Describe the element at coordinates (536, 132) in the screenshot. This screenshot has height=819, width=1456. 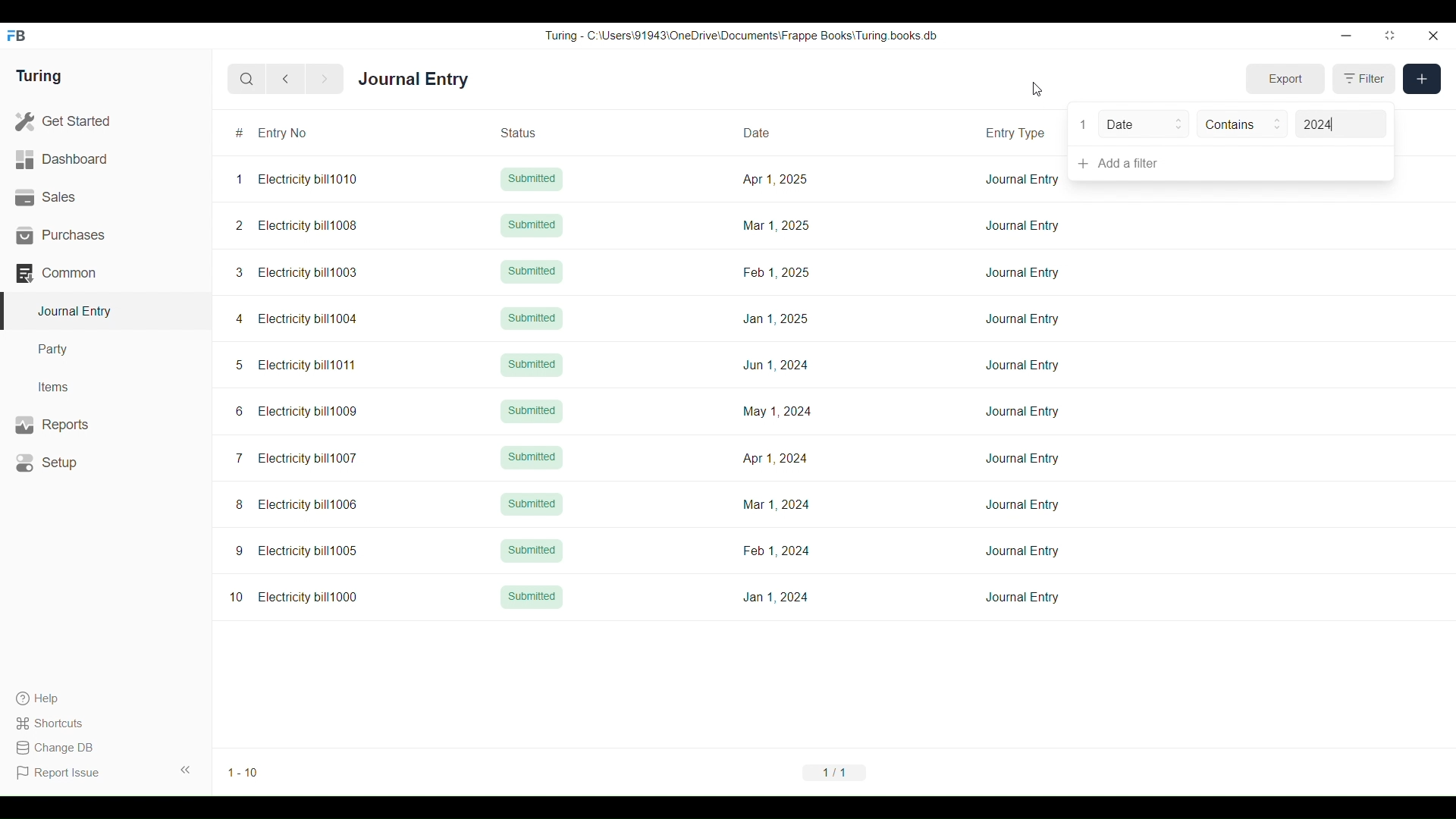
I see `Status` at that location.